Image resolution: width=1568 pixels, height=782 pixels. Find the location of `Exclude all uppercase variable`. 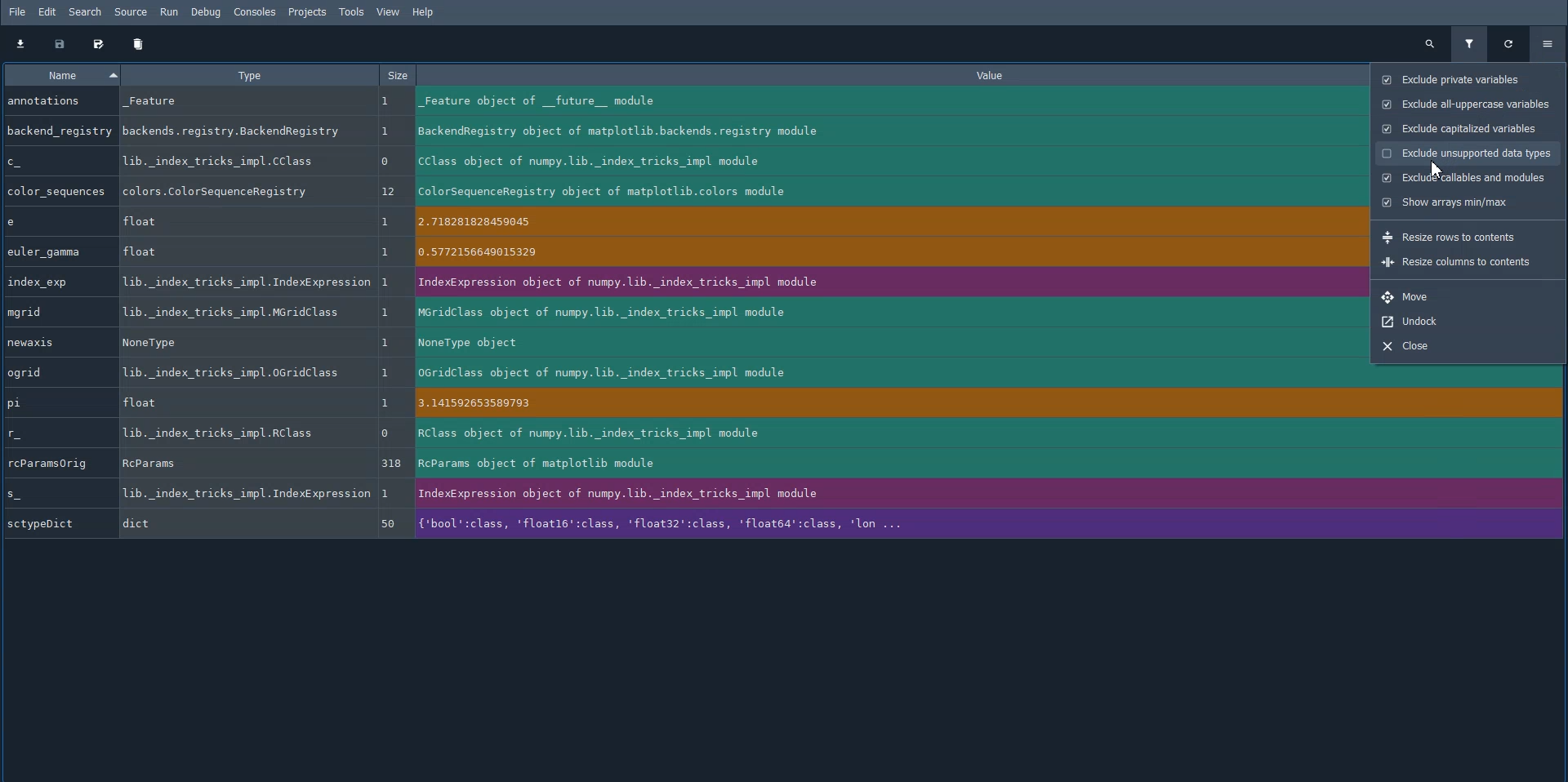

Exclude all uppercase variable is located at coordinates (1468, 105).